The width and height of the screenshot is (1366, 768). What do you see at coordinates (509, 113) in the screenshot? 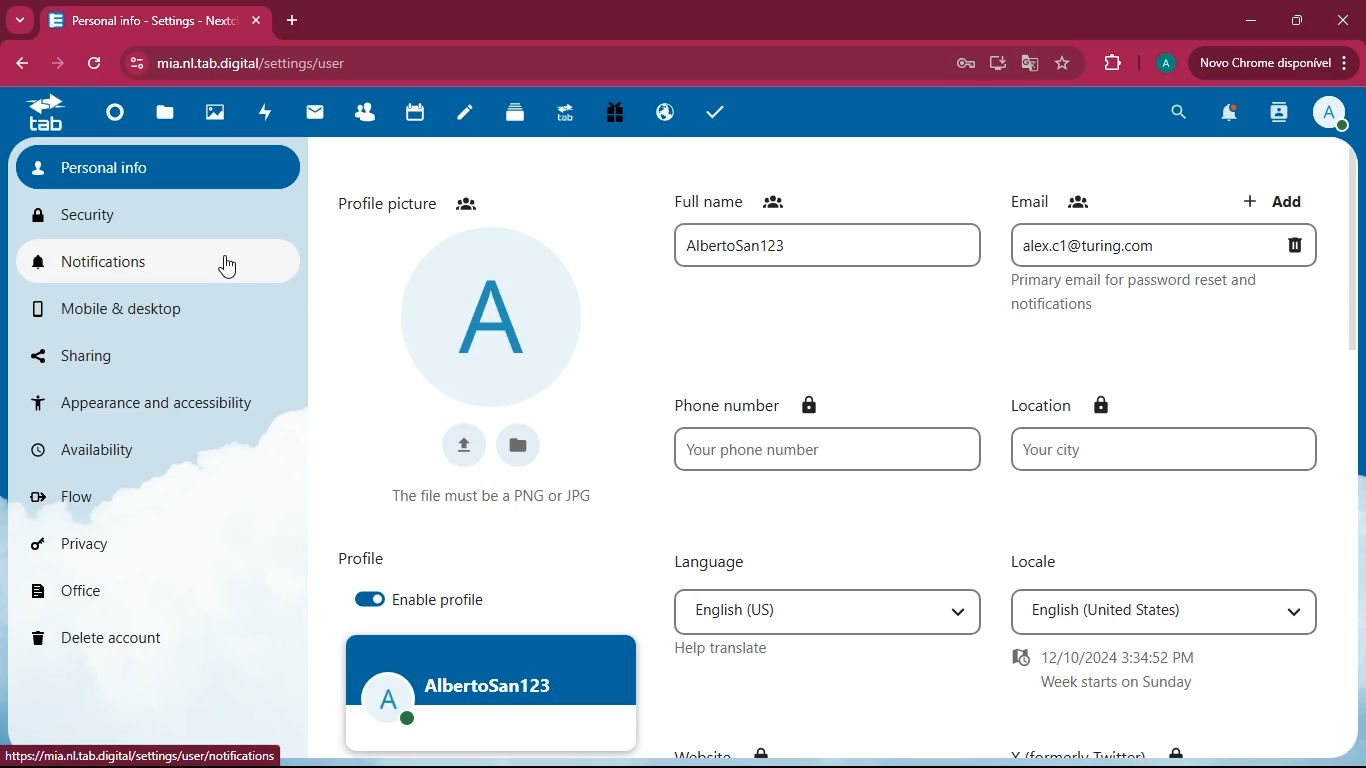
I see `layers` at bounding box center [509, 113].